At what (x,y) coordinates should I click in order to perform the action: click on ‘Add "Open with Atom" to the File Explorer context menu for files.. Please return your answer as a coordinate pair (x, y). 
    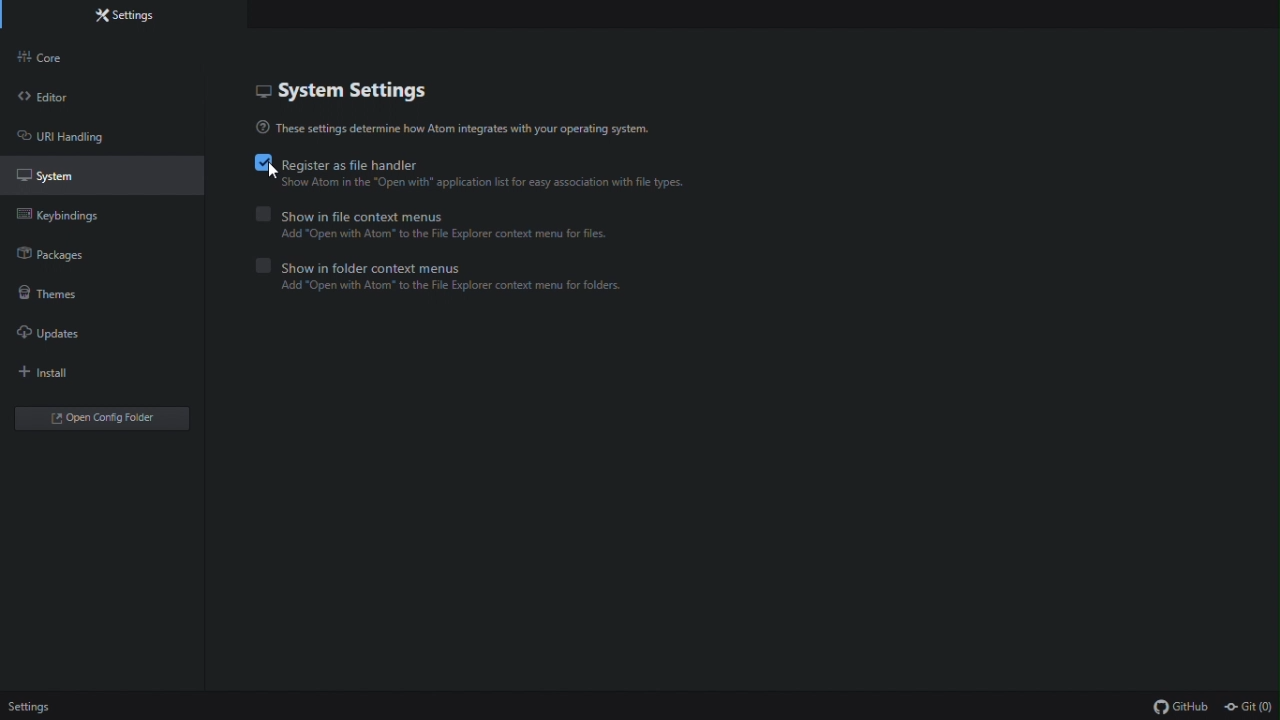
    Looking at the image, I should click on (457, 236).